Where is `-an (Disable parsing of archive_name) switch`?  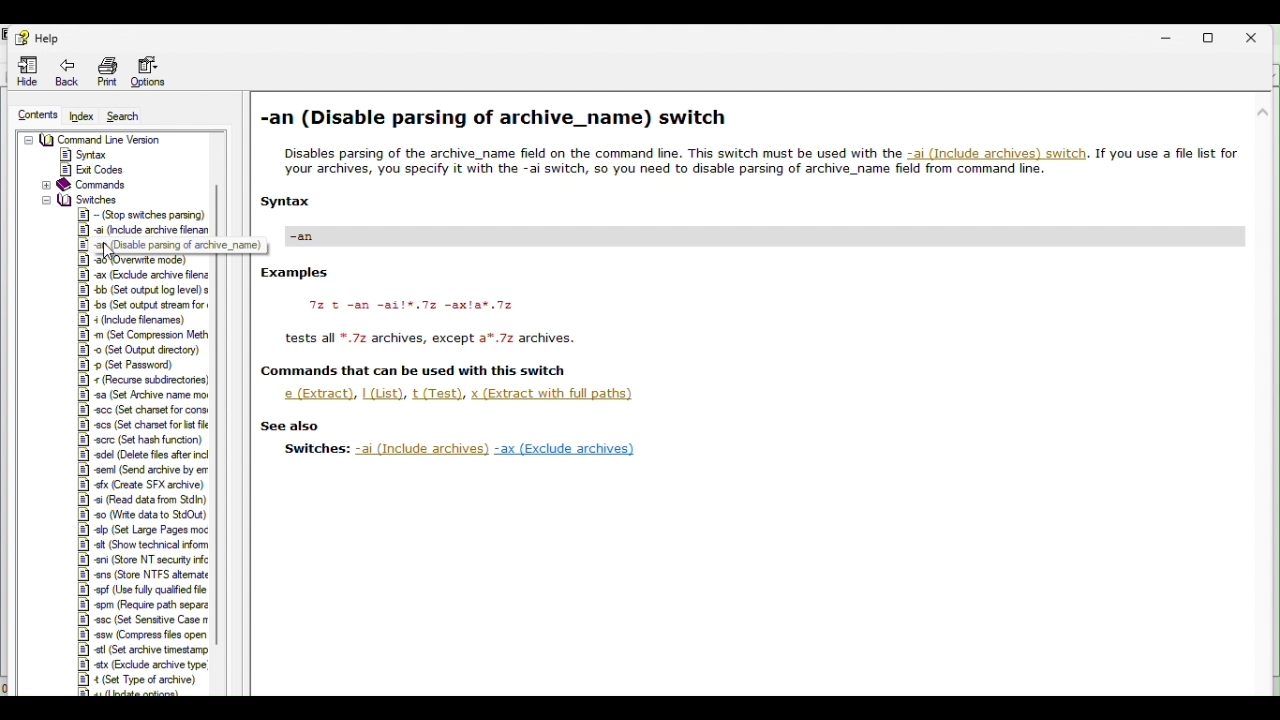
-an (Disable parsing of archive_name) switch is located at coordinates (499, 119).